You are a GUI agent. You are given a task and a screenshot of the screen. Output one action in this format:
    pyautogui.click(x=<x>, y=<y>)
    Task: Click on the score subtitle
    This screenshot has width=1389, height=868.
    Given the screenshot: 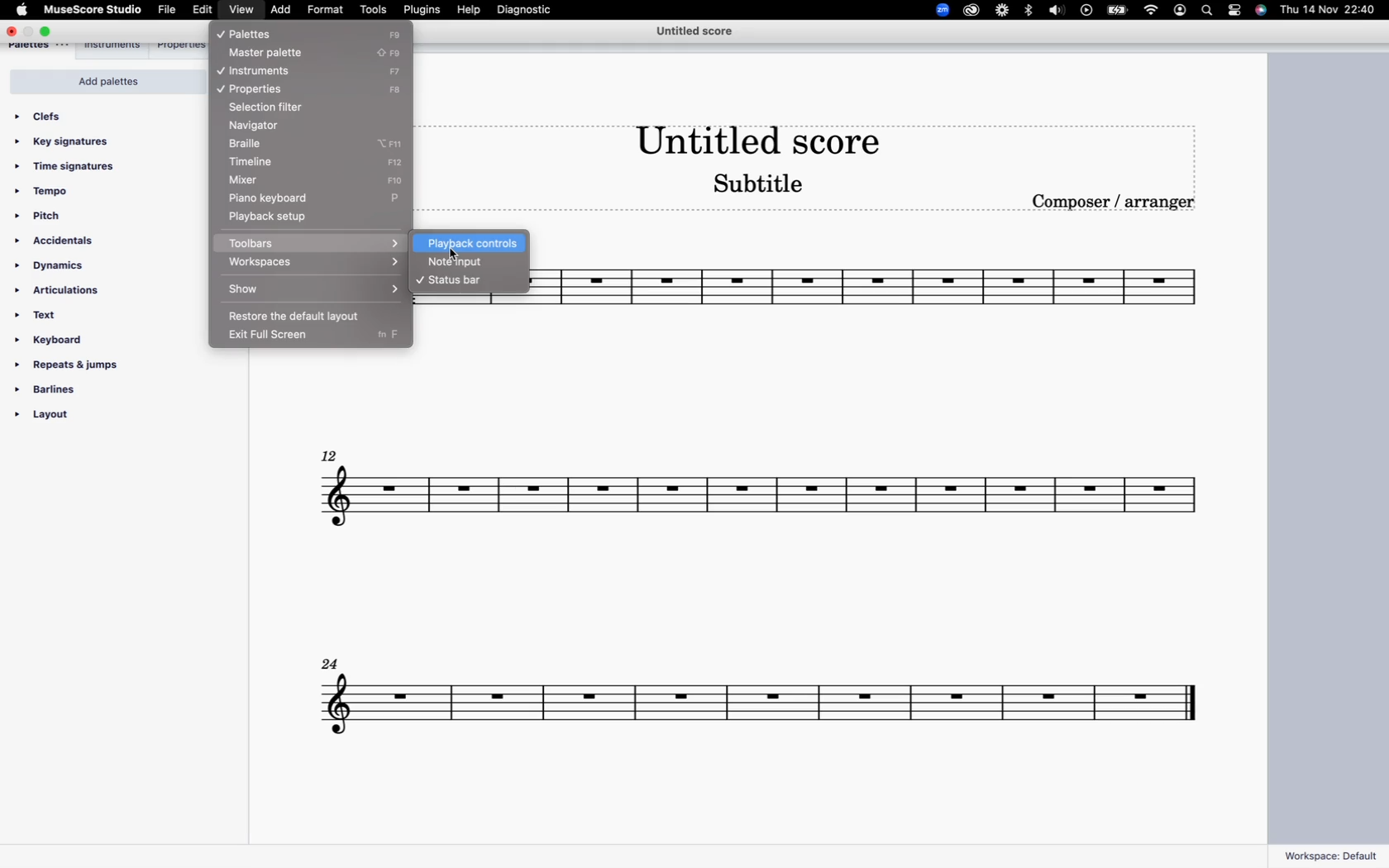 What is the action you would take?
    pyautogui.click(x=765, y=188)
    